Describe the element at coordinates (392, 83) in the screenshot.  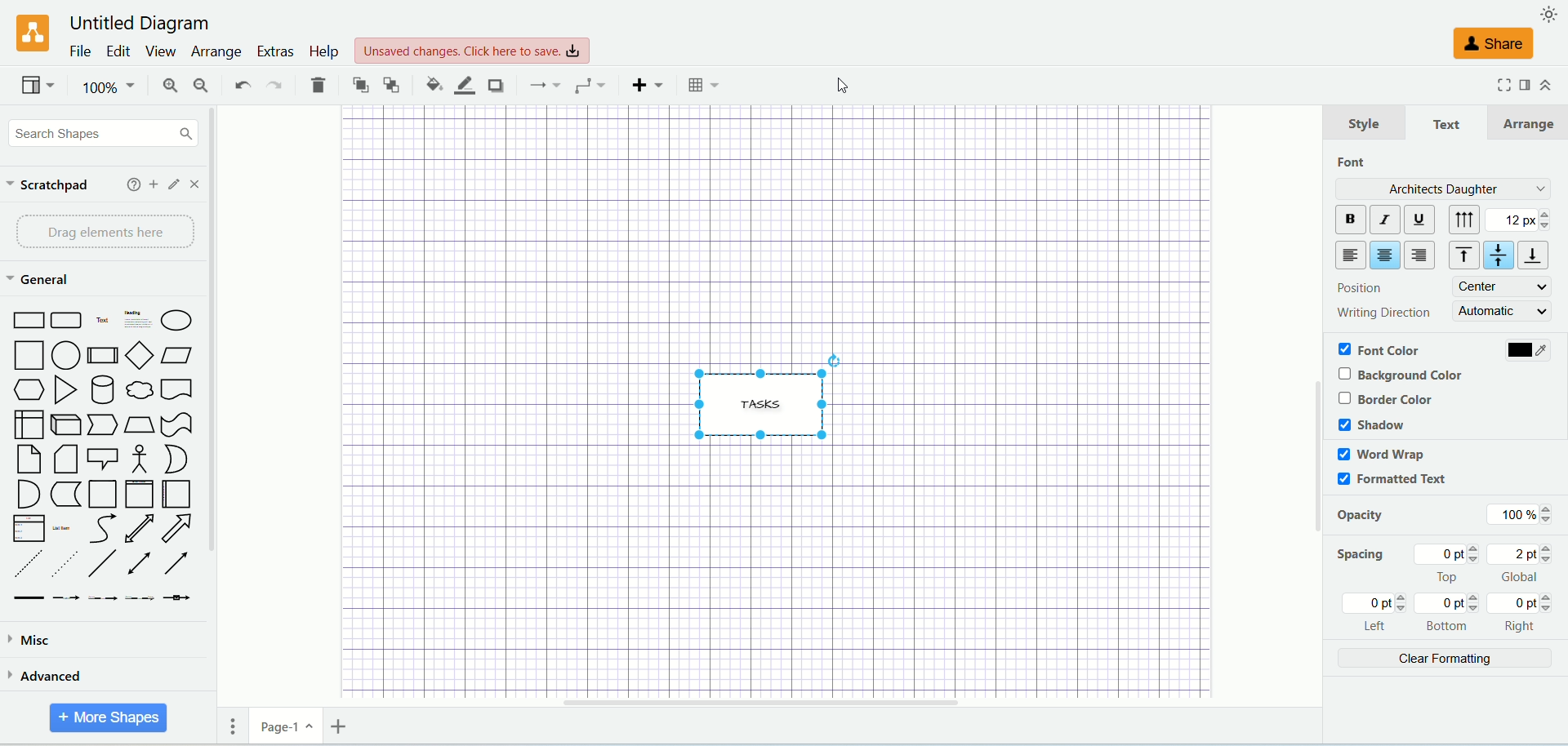
I see `to back` at that location.